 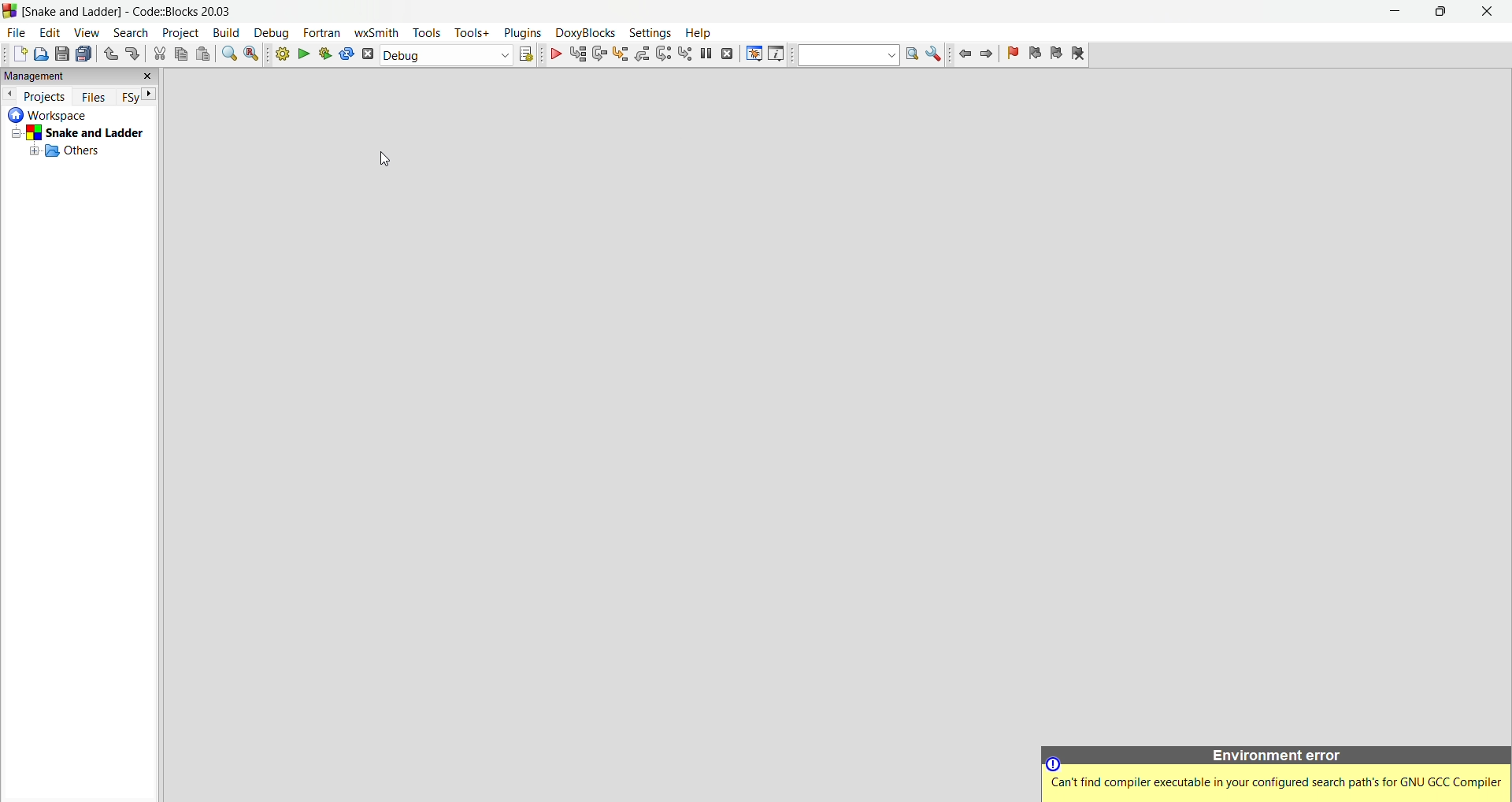 What do you see at coordinates (428, 32) in the screenshot?
I see `tools` at bounding box center [428, 32].